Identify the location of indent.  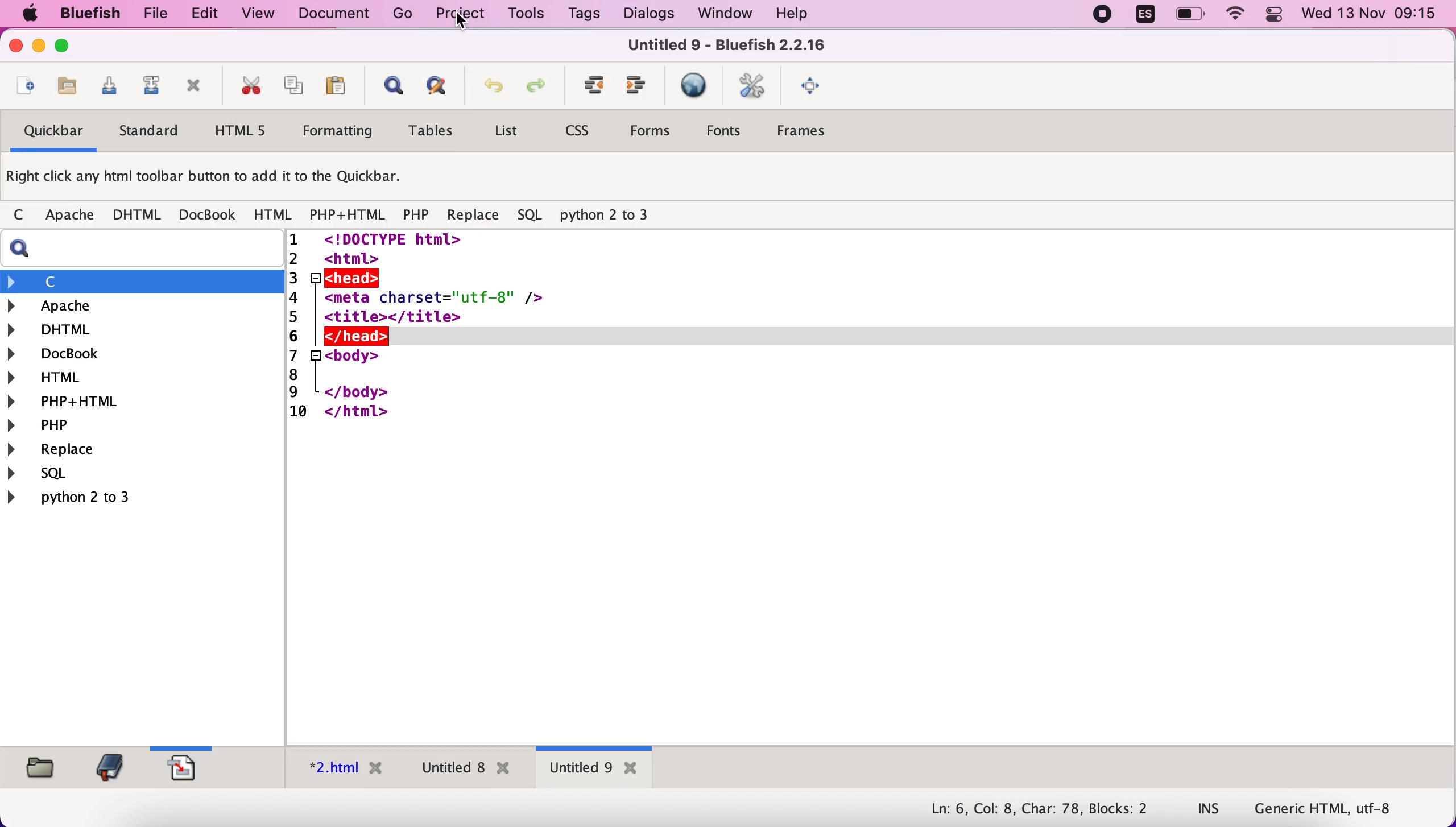
(588, 90).